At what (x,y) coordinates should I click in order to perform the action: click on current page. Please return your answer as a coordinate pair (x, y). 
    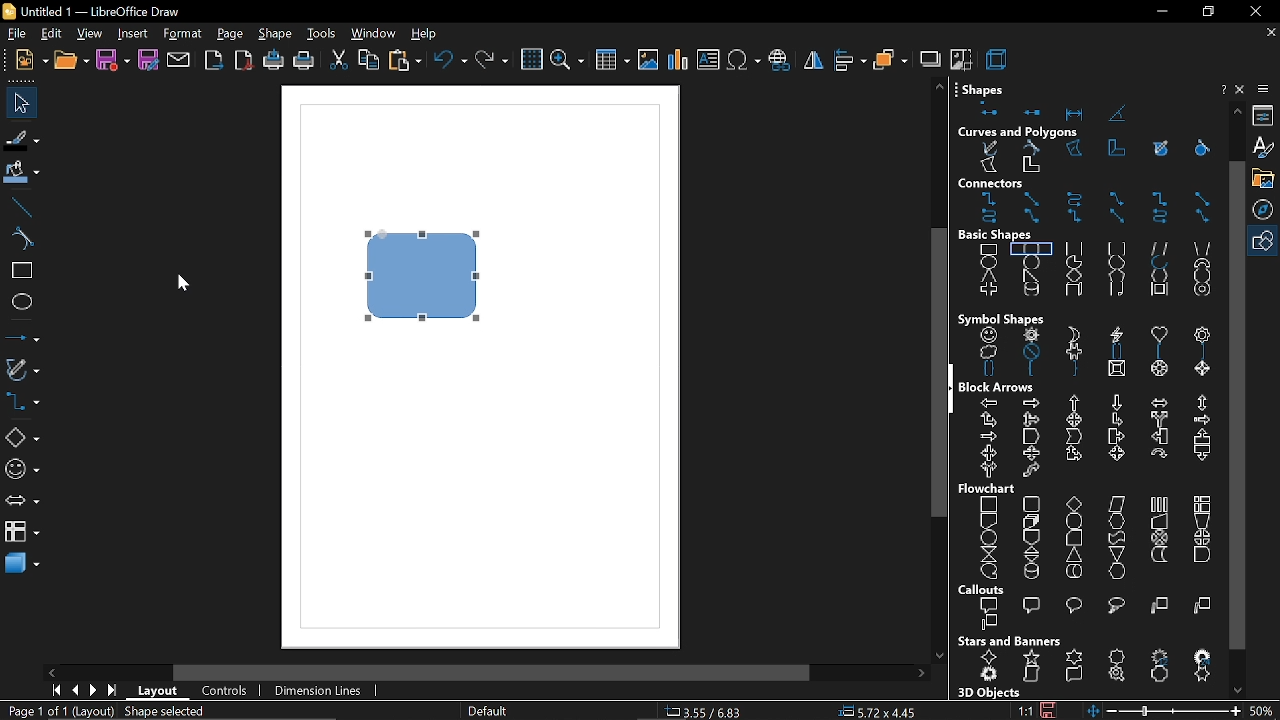
    Looking at the image, I should click on (58, 711).